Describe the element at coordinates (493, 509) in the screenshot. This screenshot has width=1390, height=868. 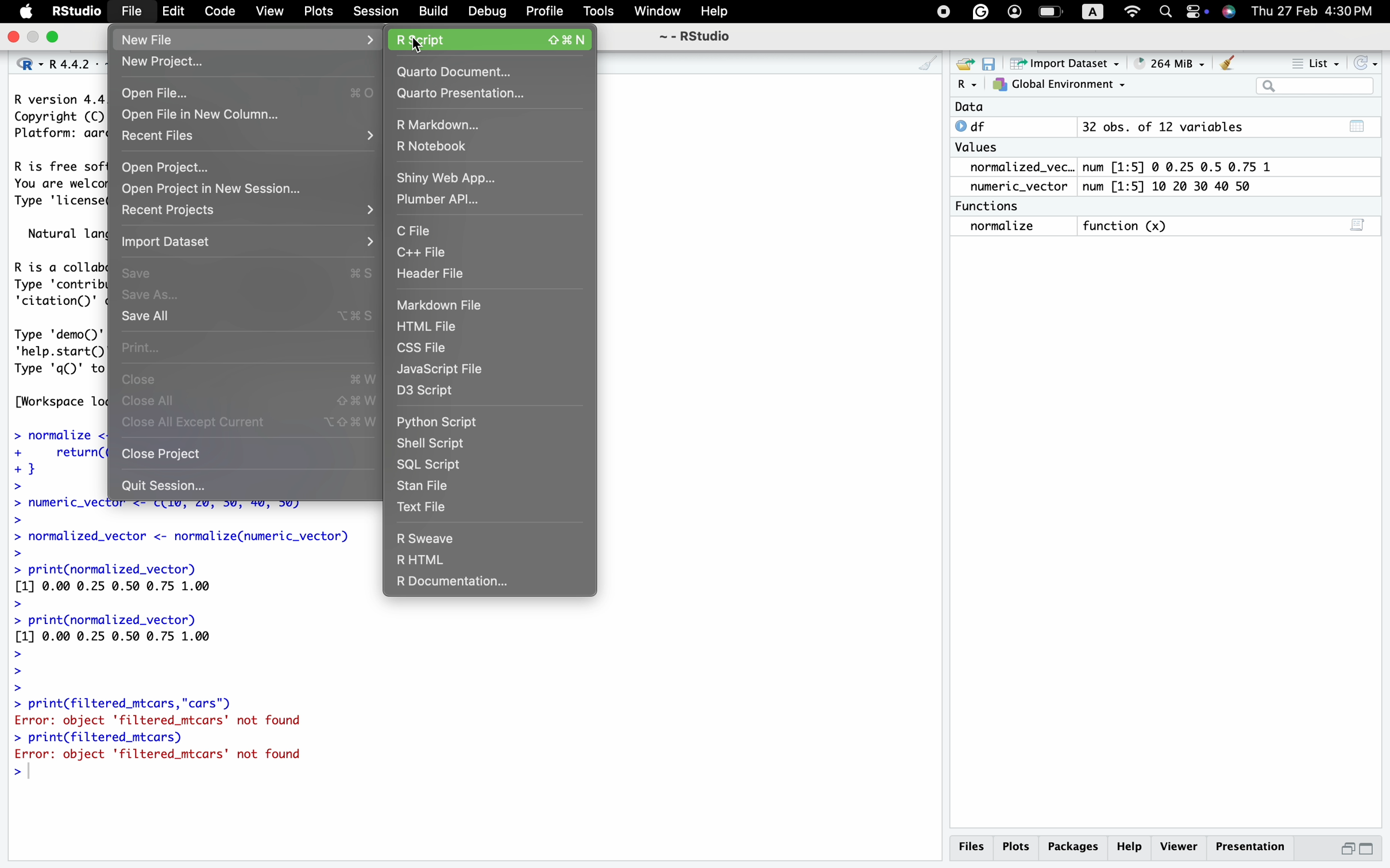
I see `Text file` at that location.